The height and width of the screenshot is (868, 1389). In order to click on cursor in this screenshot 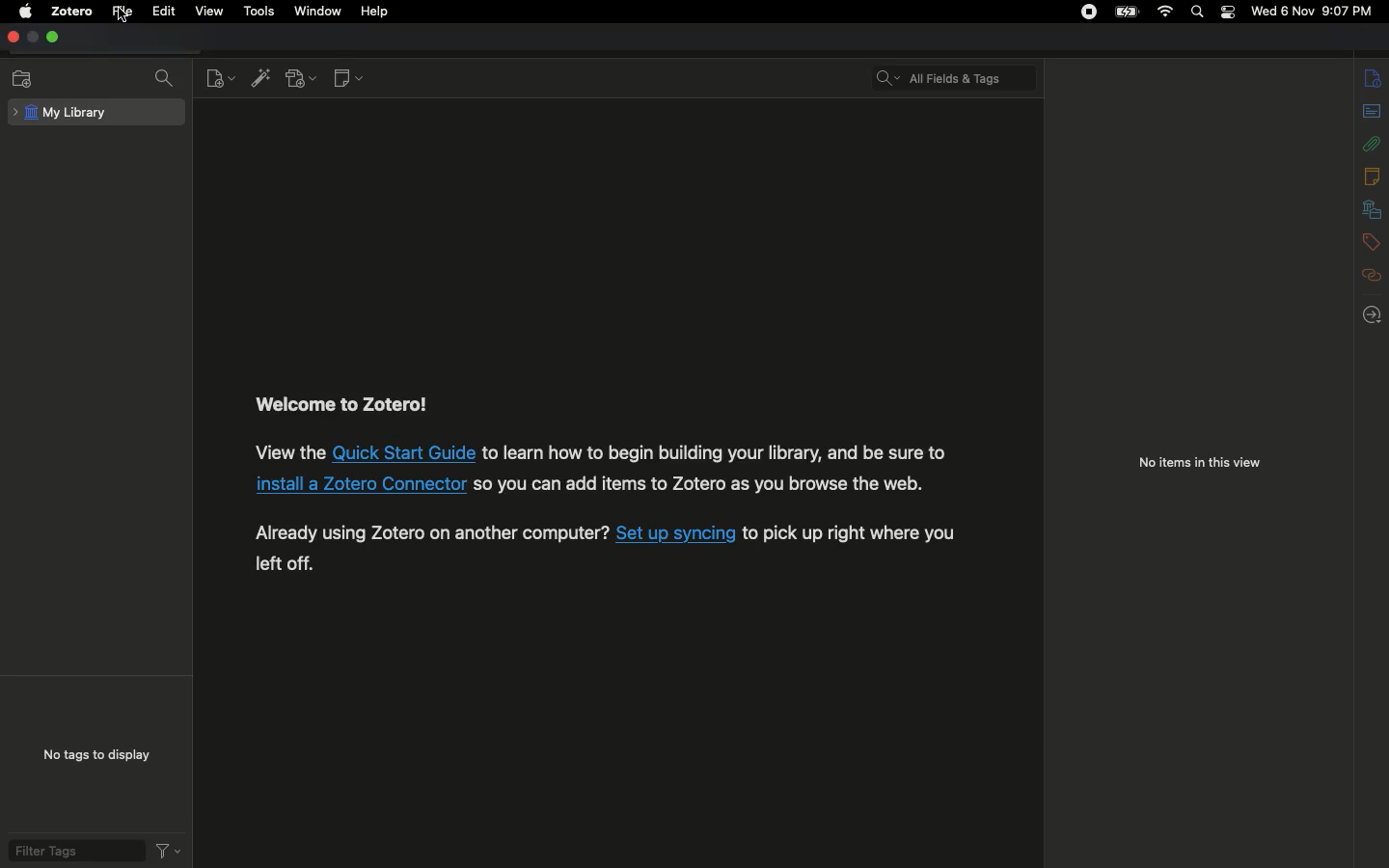, I will do `click(123, 14)`.